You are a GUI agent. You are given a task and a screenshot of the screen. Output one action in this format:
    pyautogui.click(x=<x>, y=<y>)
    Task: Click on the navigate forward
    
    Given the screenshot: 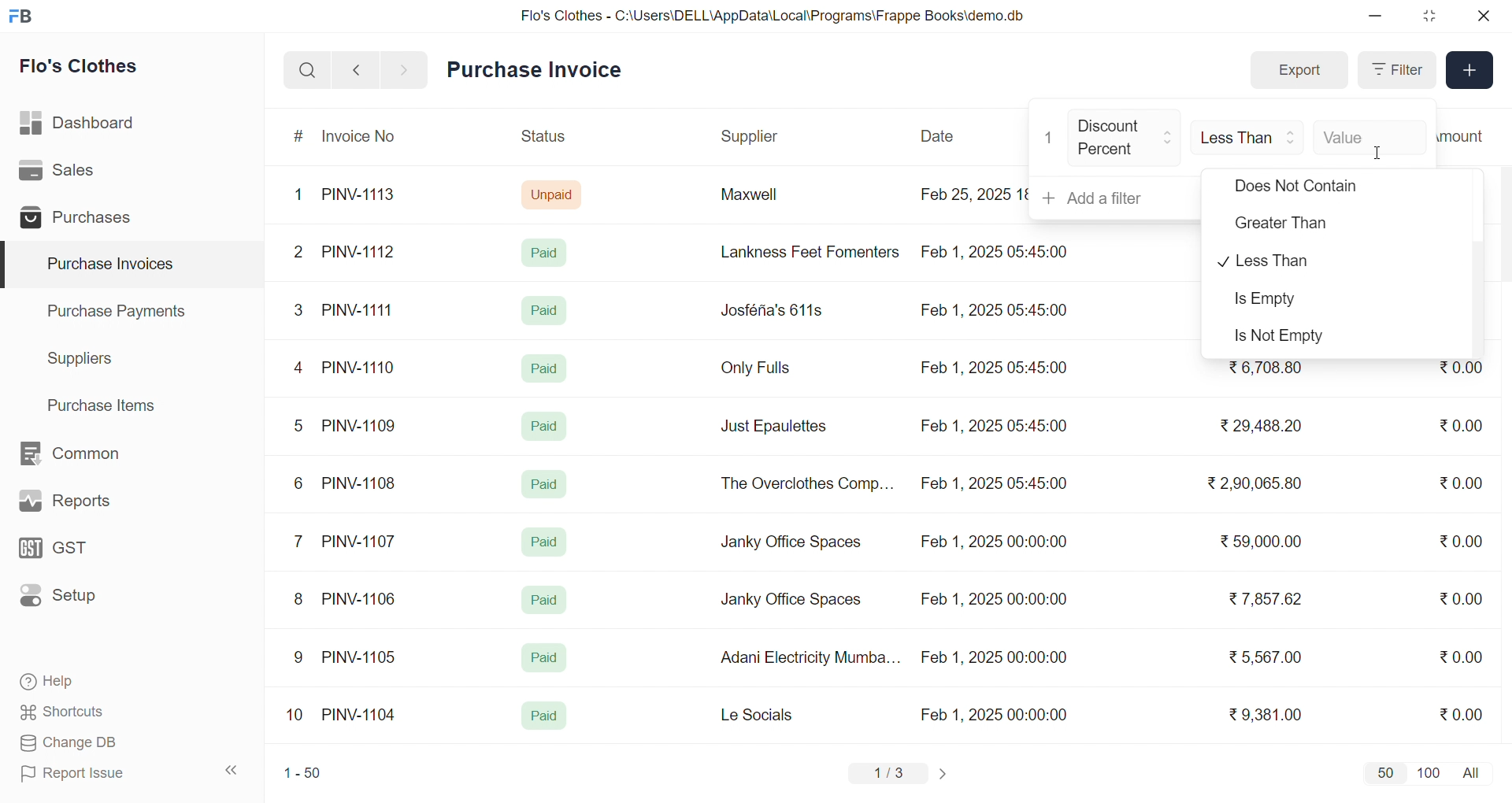 What is the action you would take?
    pyautogui.click(x=406, y=68)
    